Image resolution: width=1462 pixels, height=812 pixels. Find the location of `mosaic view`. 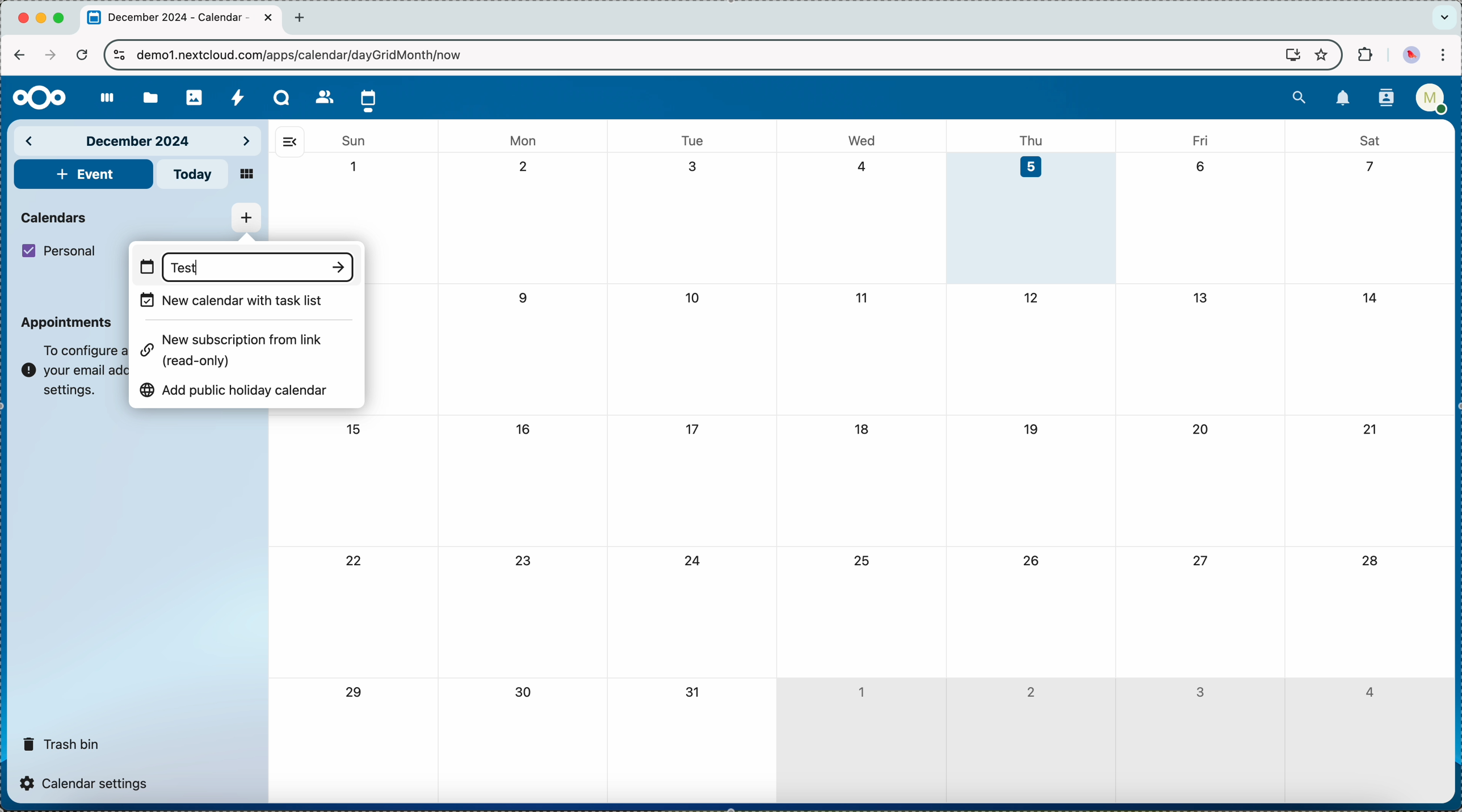

mosaic view is located at coordinates (247, 175).